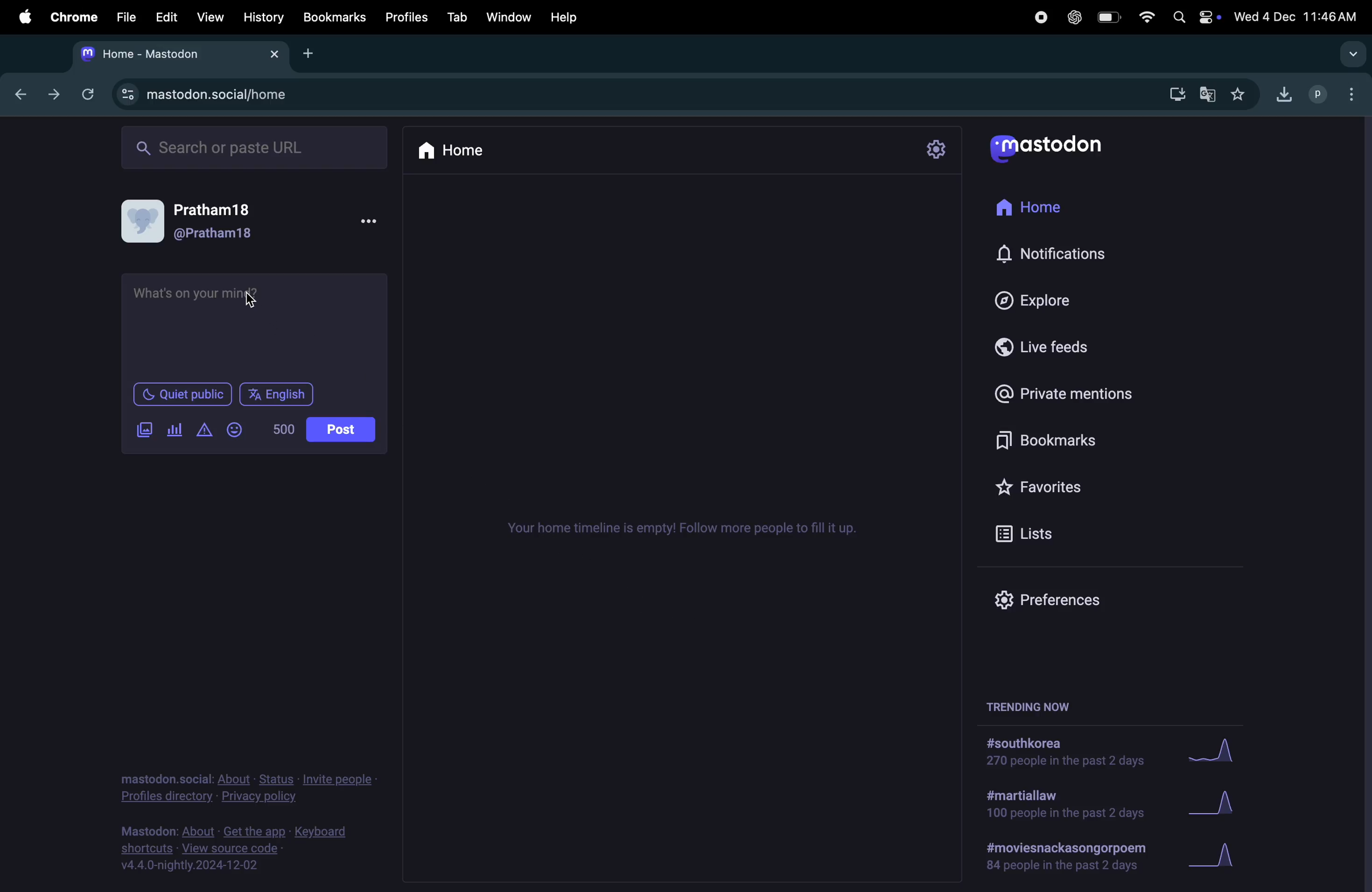 The height and width of the screenshot is (892, 1372). Describe the element at coordinates (1297, 14) in the screenshot. I see `Date and time` at that location.